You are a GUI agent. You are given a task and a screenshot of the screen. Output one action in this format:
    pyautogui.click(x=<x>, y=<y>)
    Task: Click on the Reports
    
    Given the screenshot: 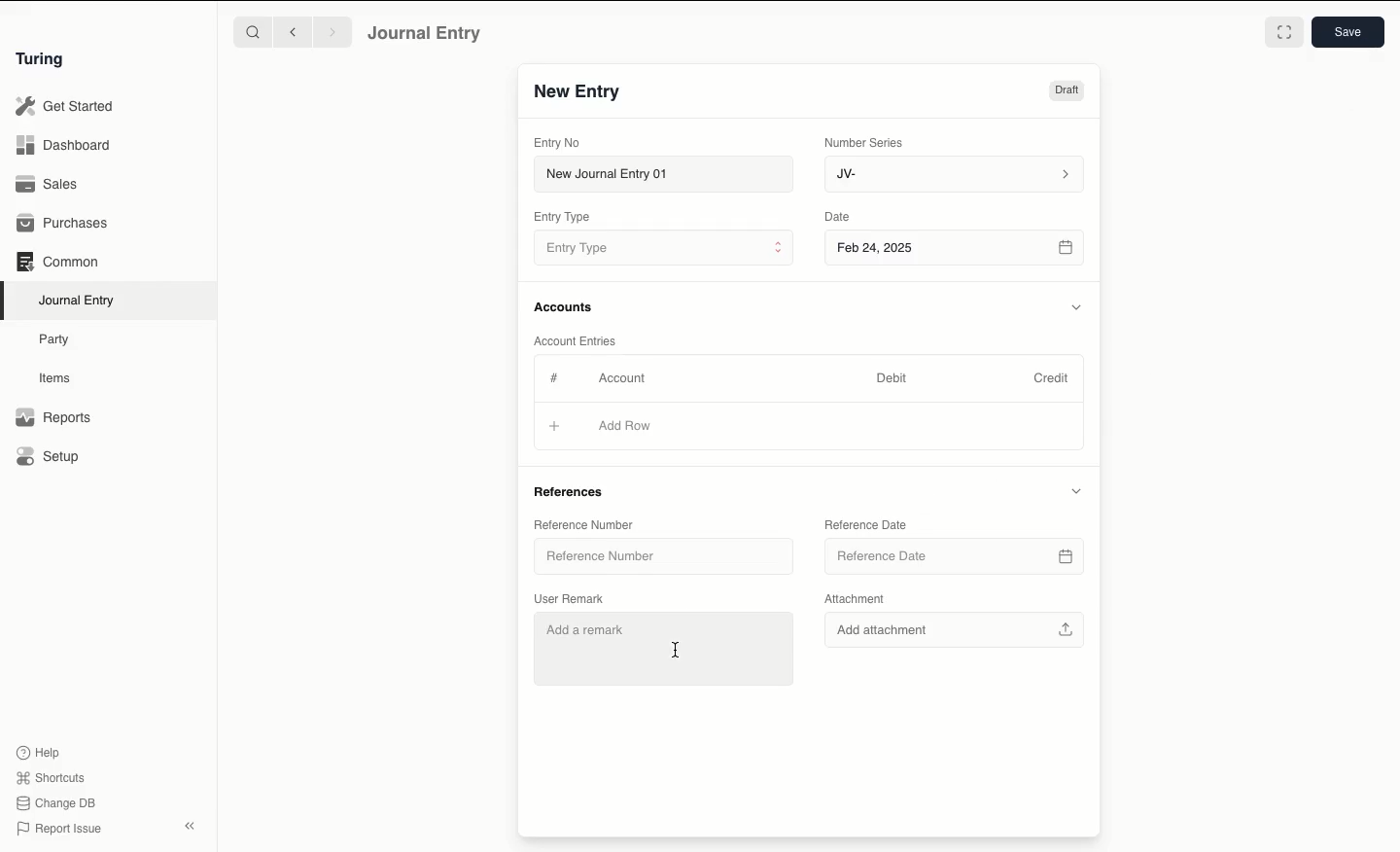 What is the action you would take?
    pyautogui.click(x=53, y=417)
    